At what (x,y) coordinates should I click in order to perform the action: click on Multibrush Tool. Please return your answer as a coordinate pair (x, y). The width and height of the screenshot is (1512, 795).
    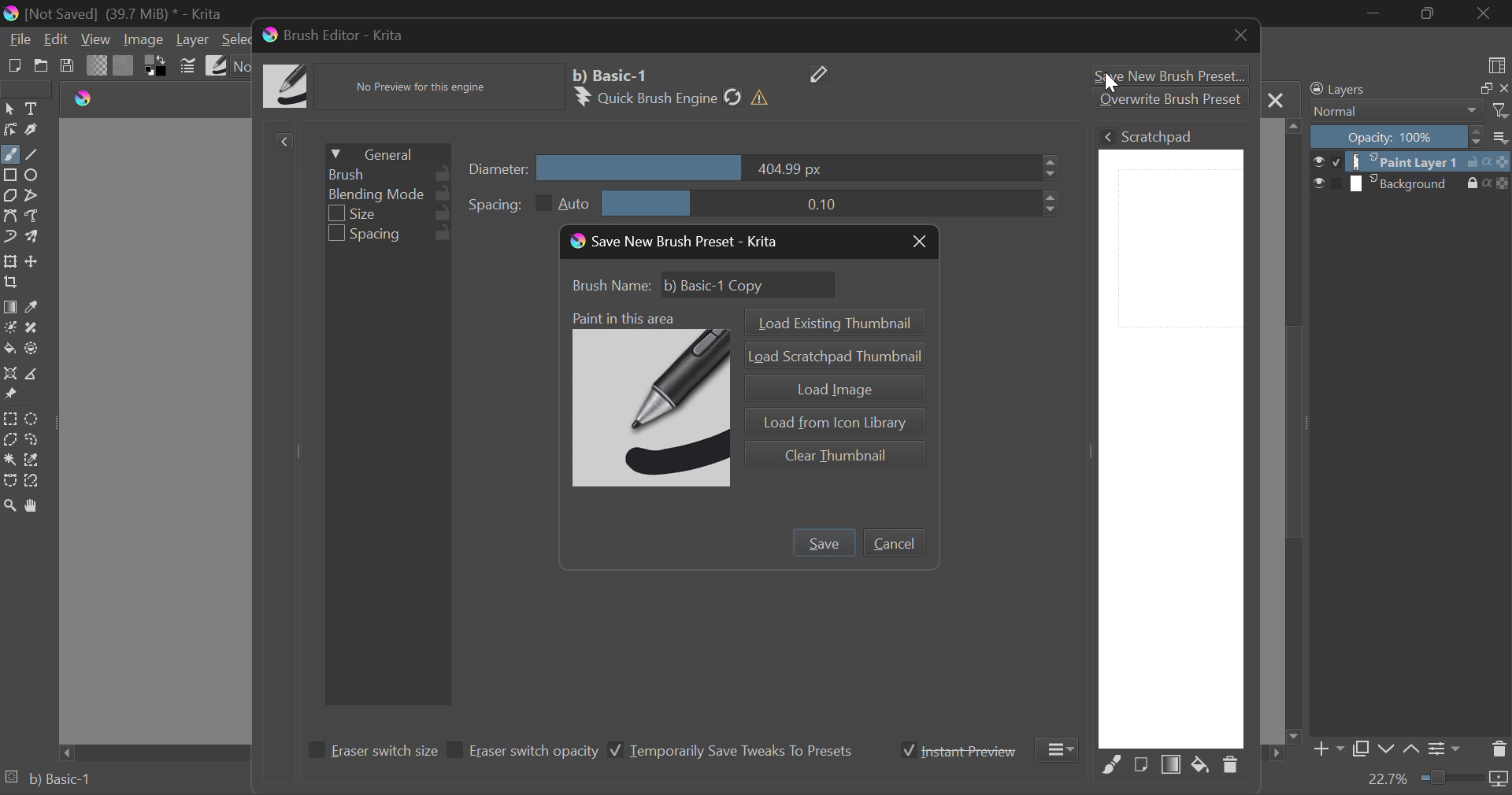
    Looking at the image, I should click on (32, 237).